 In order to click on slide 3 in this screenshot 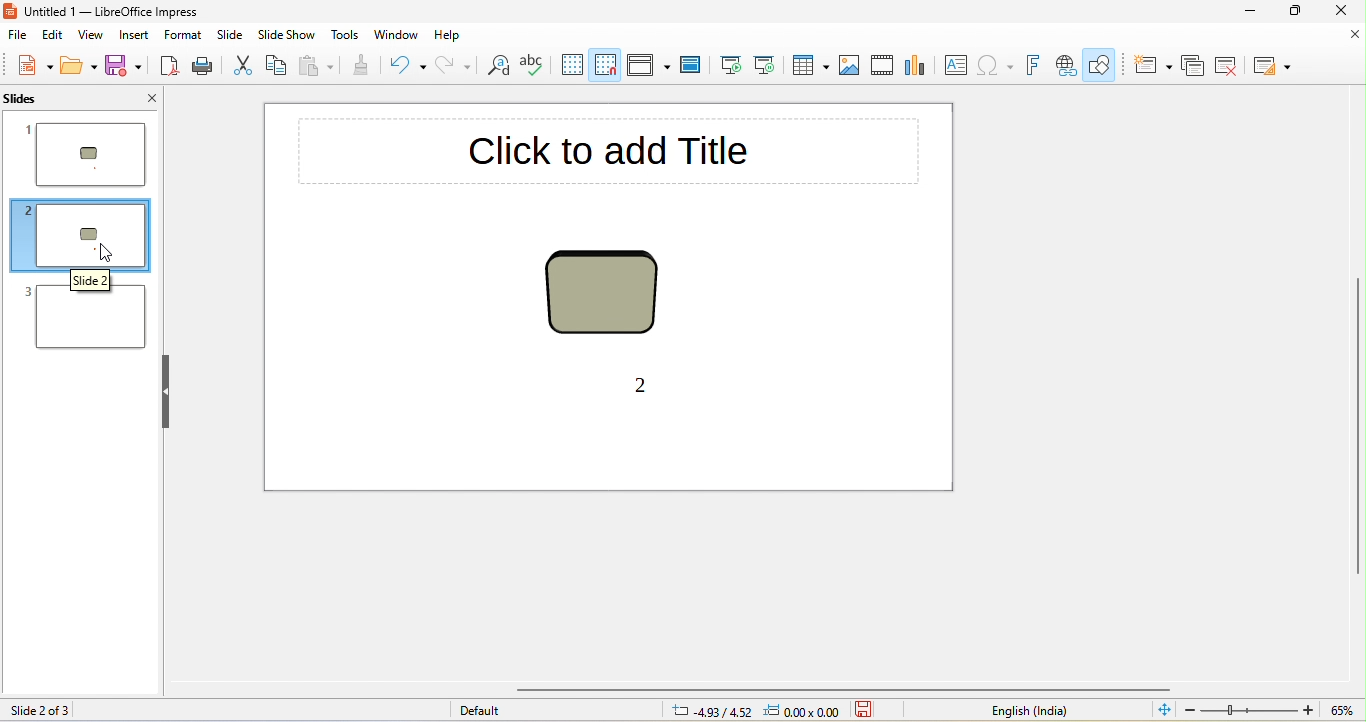, I will do `click(78, 312)`.